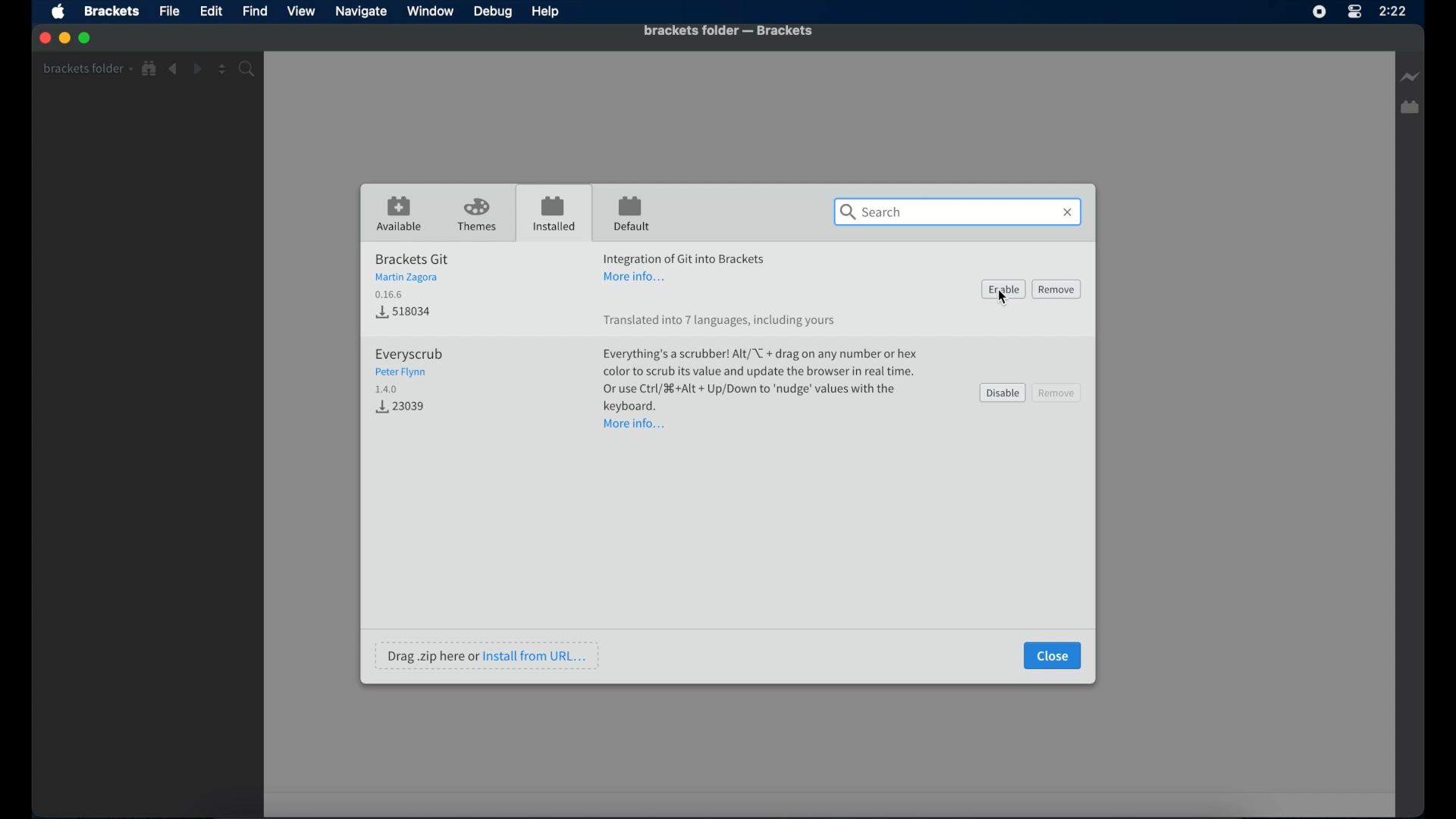 This screenshot has height=819, width=1456. What do you see at coordinates (1003, 393) in the screenshot?
I see `disbale` at bounding box center [1003, 393].